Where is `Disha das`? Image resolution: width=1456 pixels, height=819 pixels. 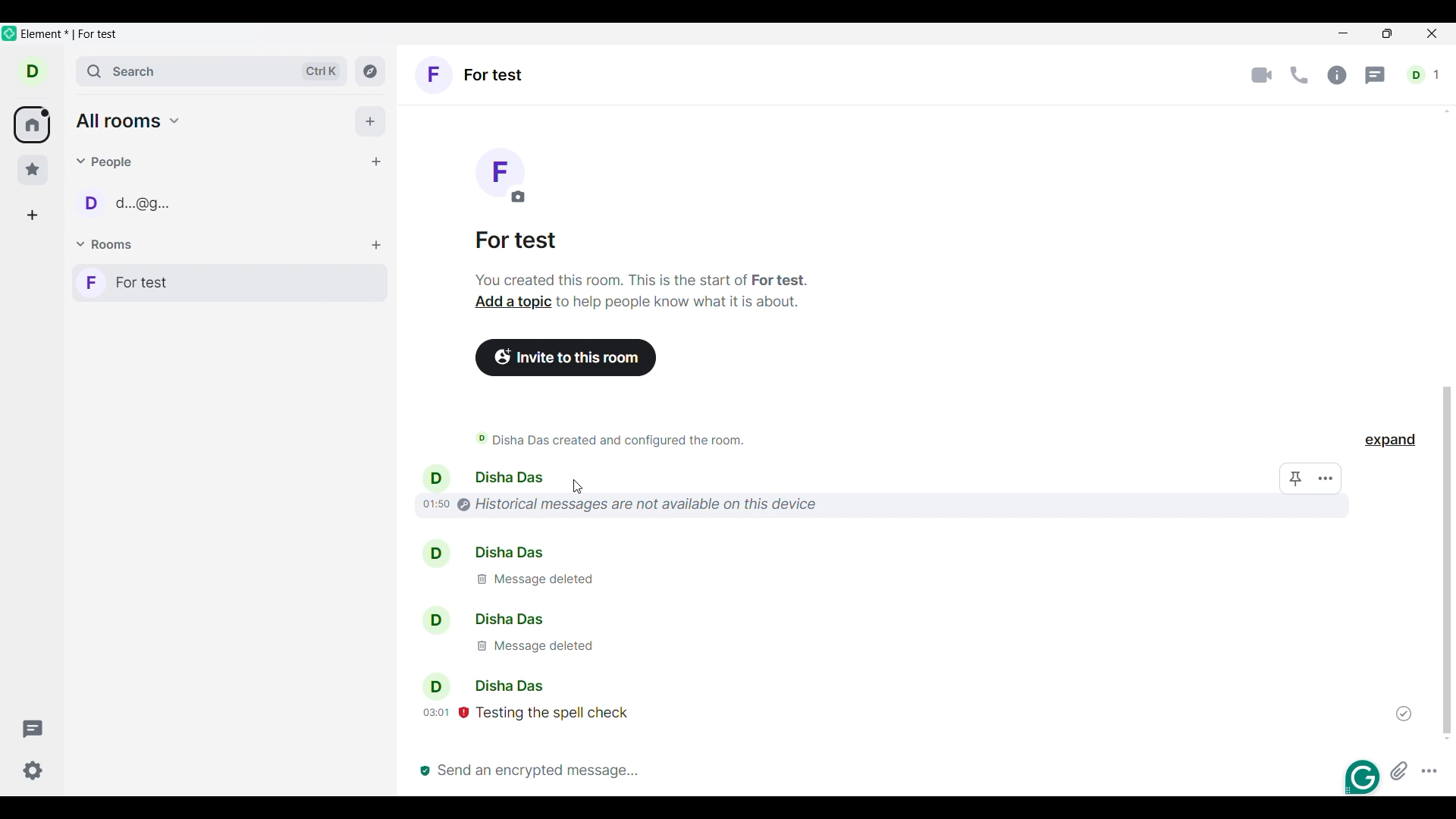 Disha das is located at coordinates (479, 685).